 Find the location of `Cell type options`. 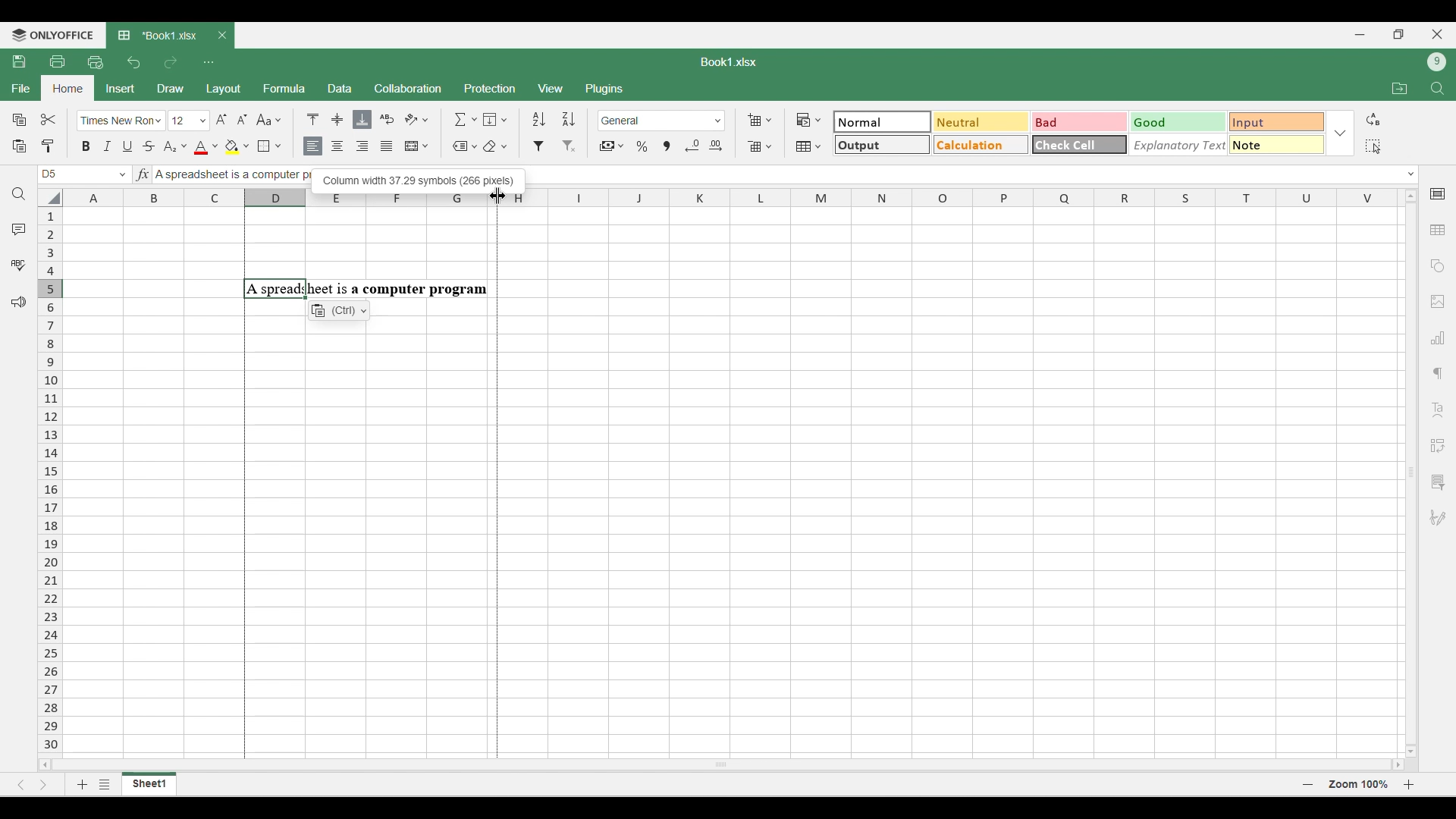

Cell type options is located at coordinates (1080, 133).